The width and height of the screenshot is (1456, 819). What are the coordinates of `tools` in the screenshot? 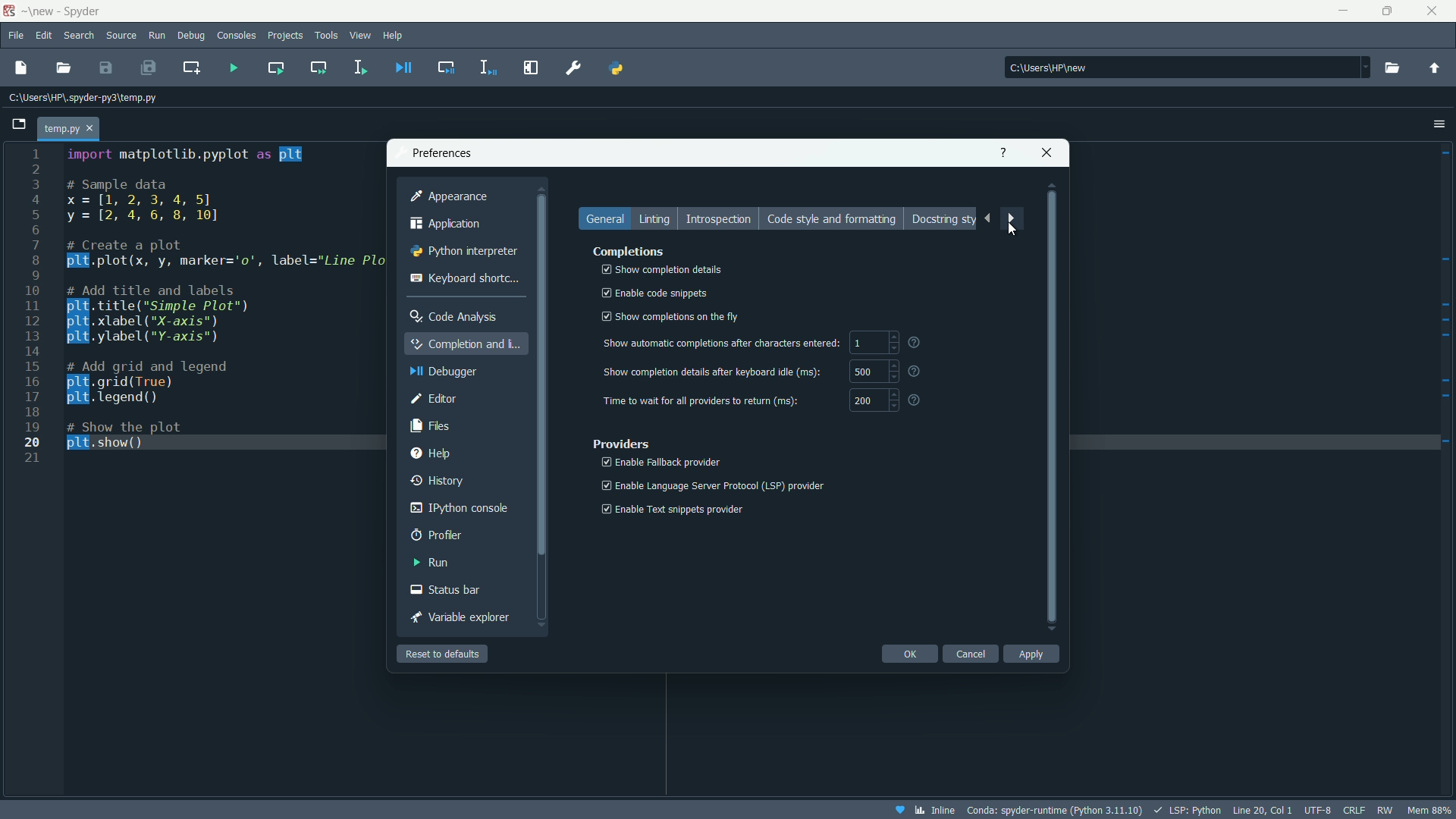 It's located at (328, 35).